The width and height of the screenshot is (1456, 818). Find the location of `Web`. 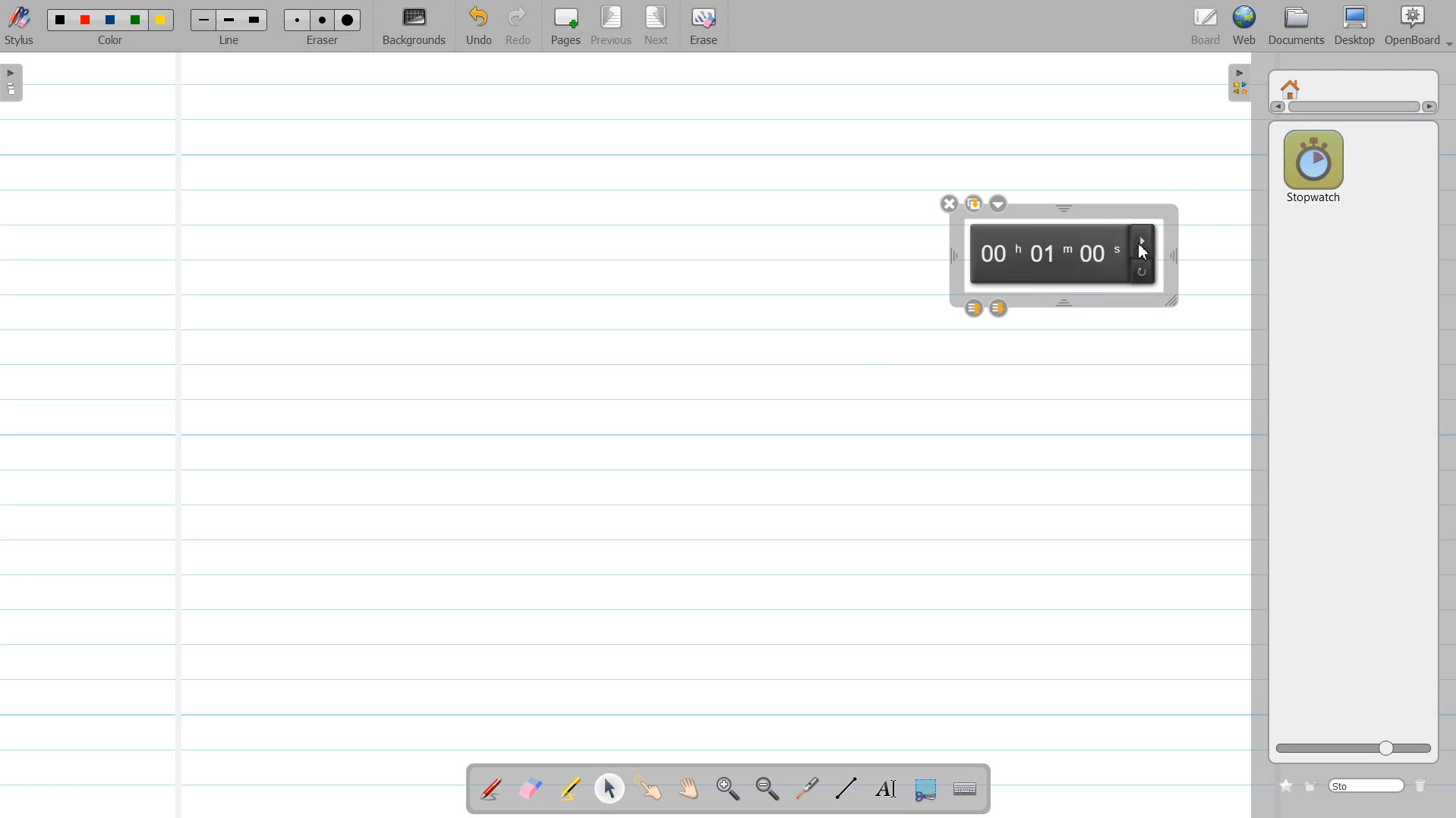

Web is located at coordinates (1247, 26).